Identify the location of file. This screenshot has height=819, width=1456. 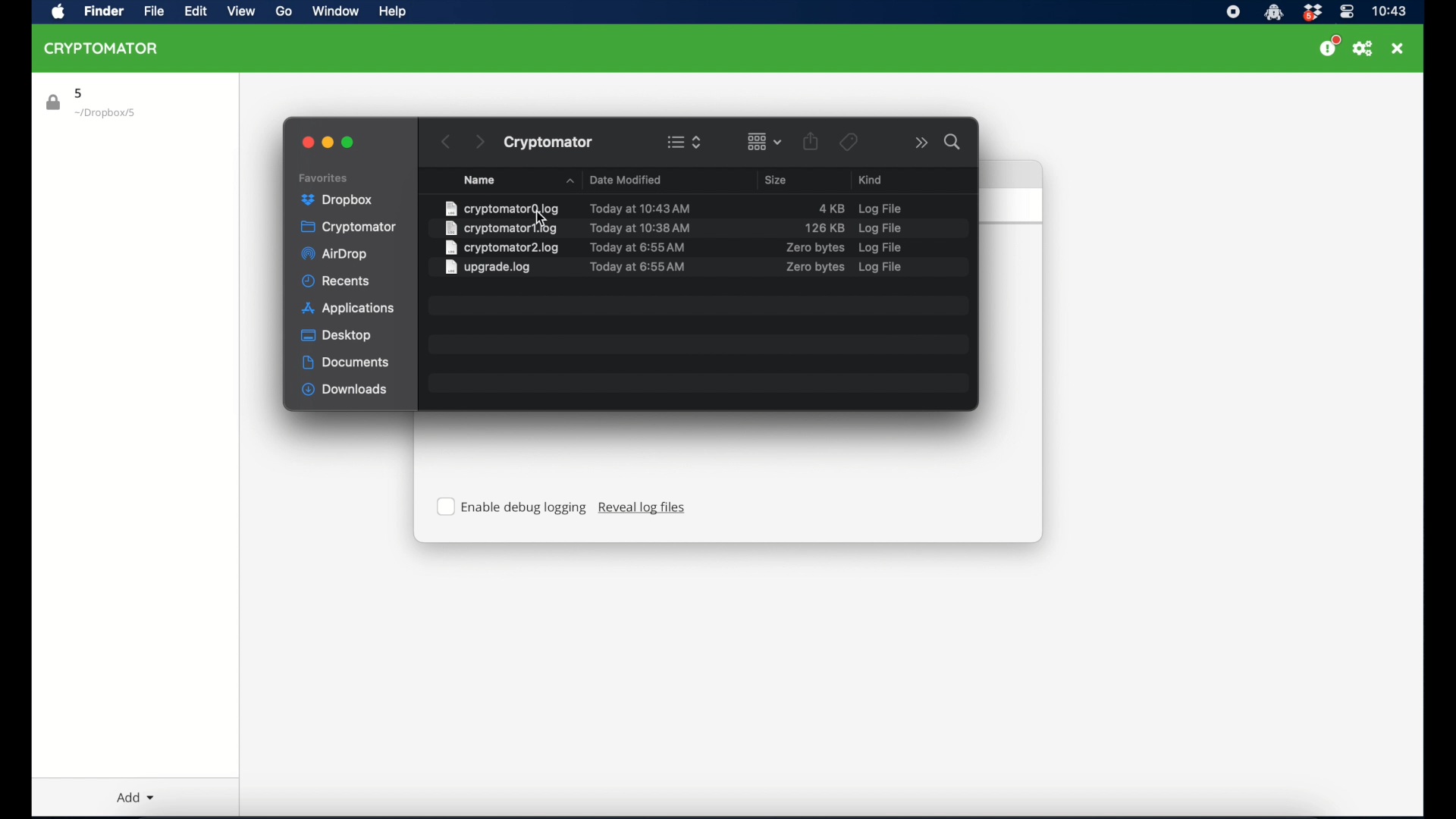
(500, 248).